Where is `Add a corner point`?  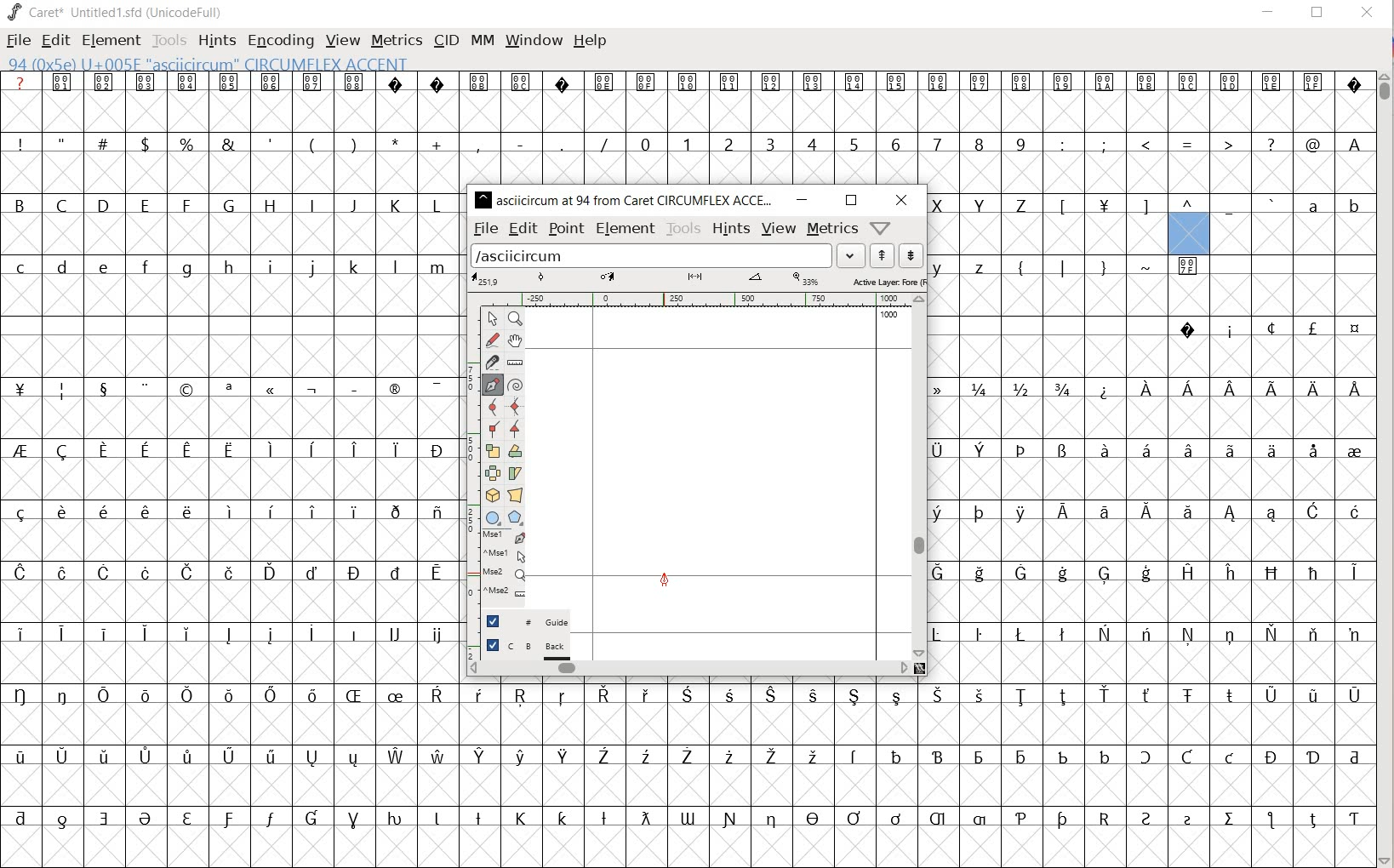
Add a corner point is located at coordinates (516, 428).